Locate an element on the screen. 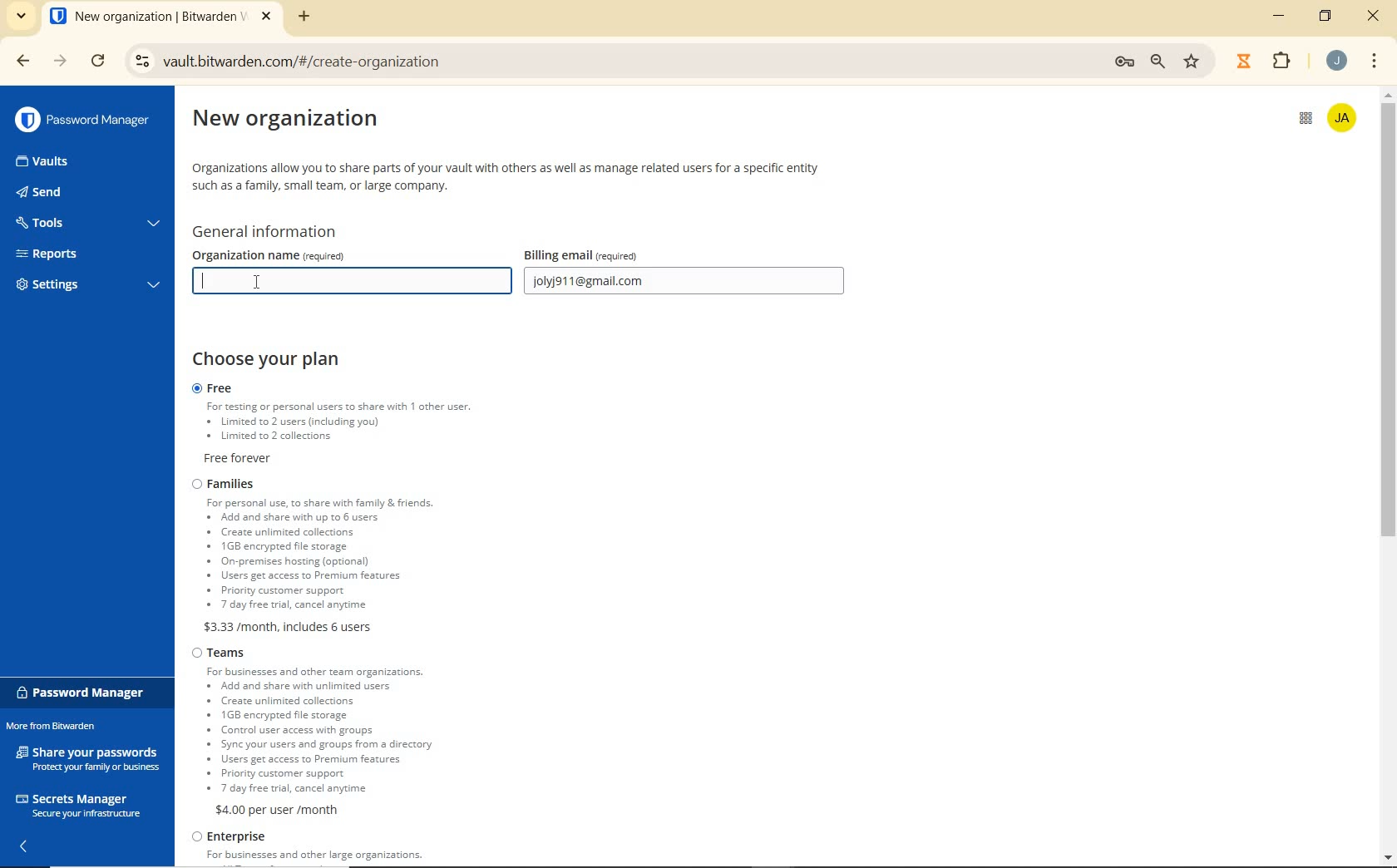  tools is located at coordinates (86, 224).